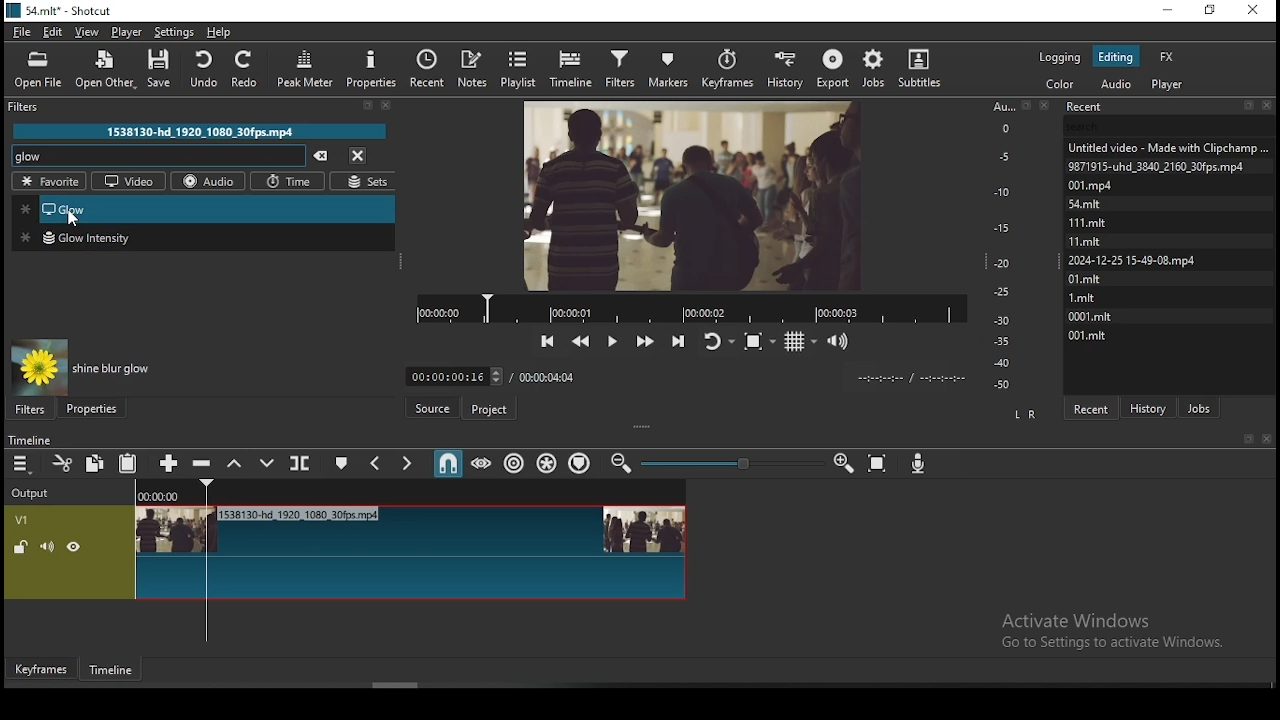 This screenshot has height=720, width=1280. What do you see at coordinates (666, 68) in the screenshot?
I see `markers` at bounding box center [666, 68].